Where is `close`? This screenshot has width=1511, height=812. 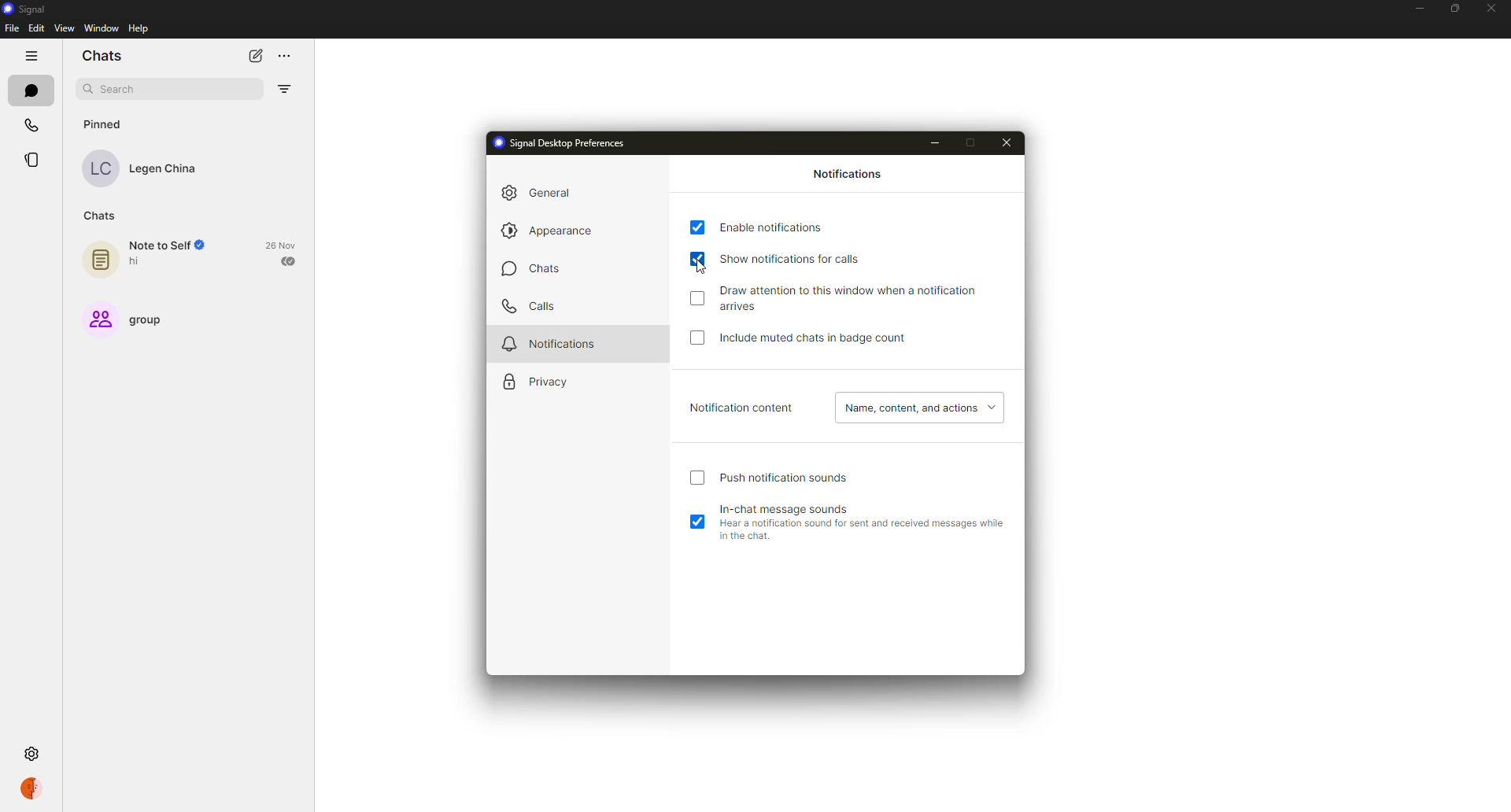
close is located at coordinates (1010, 145).